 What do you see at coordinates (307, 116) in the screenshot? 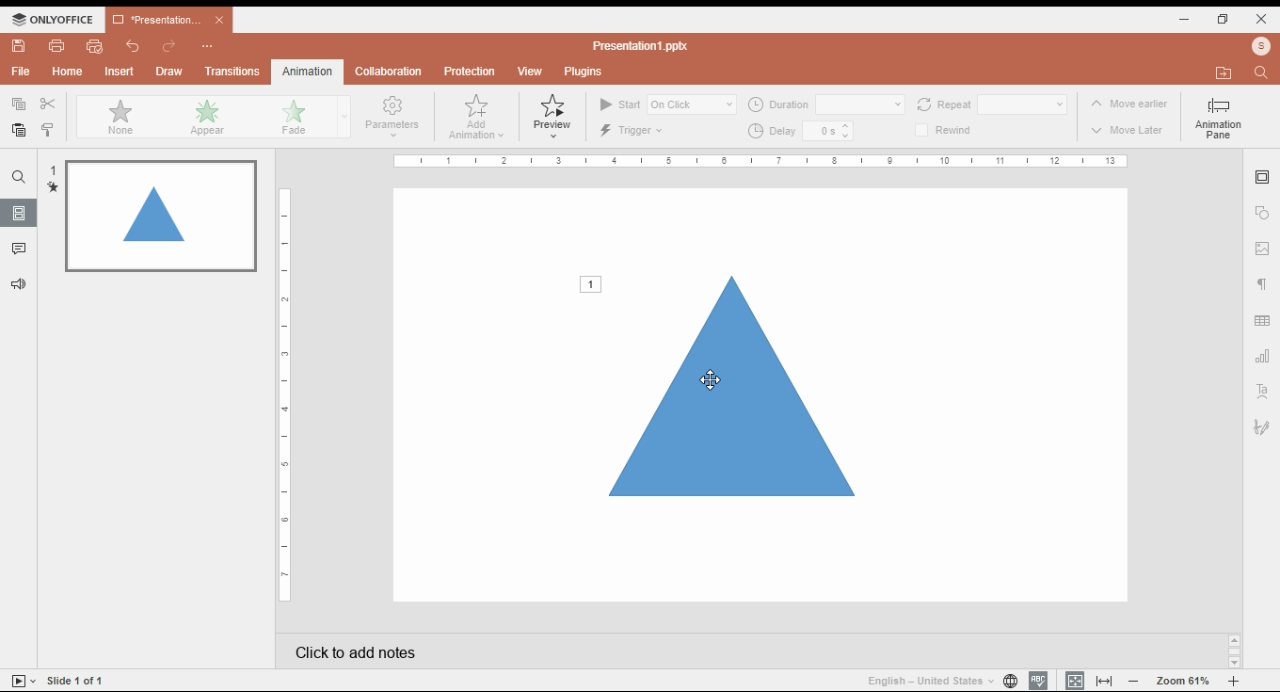
I see `animation: fade` at bounding box center [307, 116].